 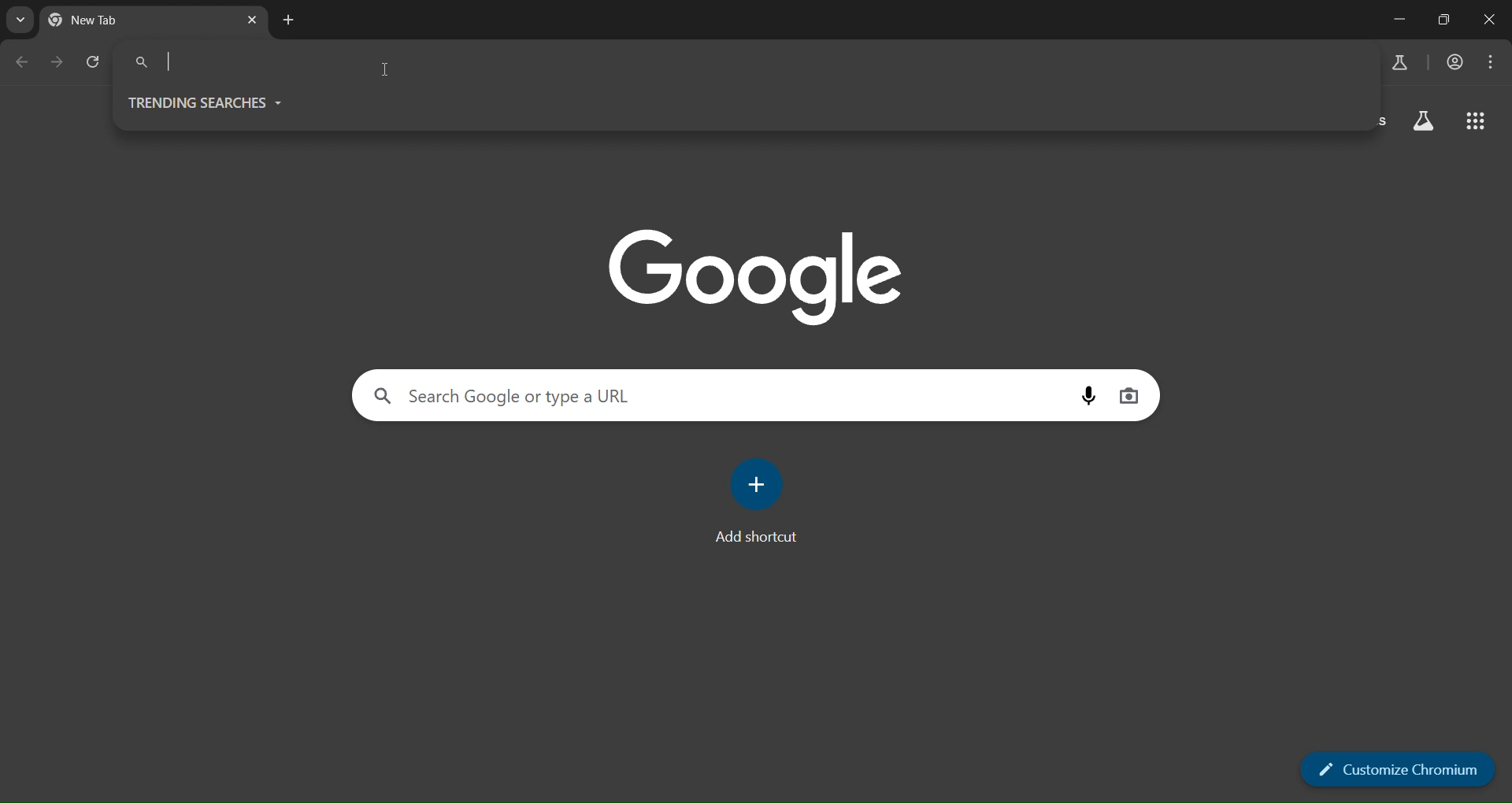 What do you see at coordinates (1441, 19) in the screenshot?
I see `maximize/restore` at bounding box center [1441, 19].